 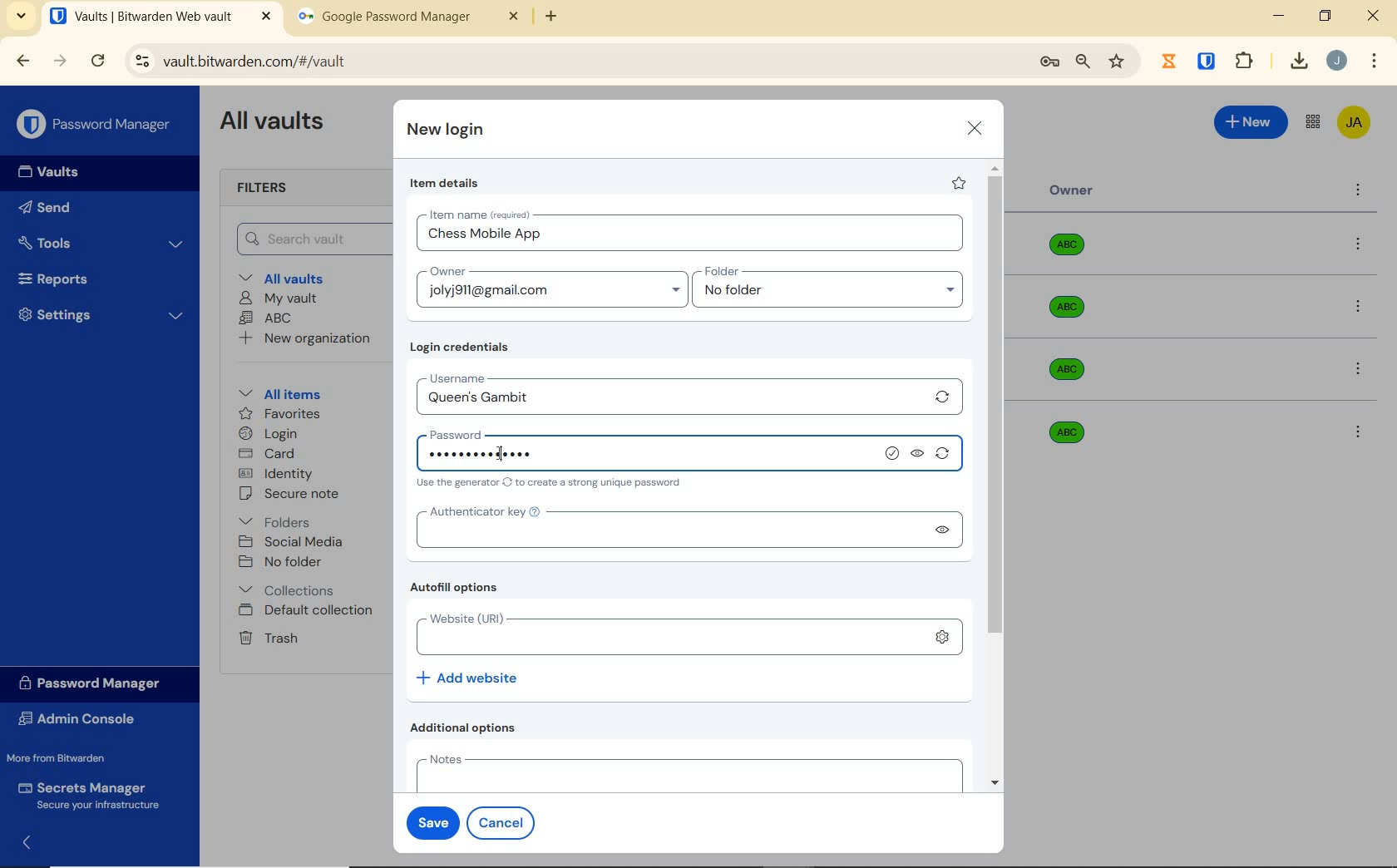 I want to click on download, so click(x=1298, y=61).